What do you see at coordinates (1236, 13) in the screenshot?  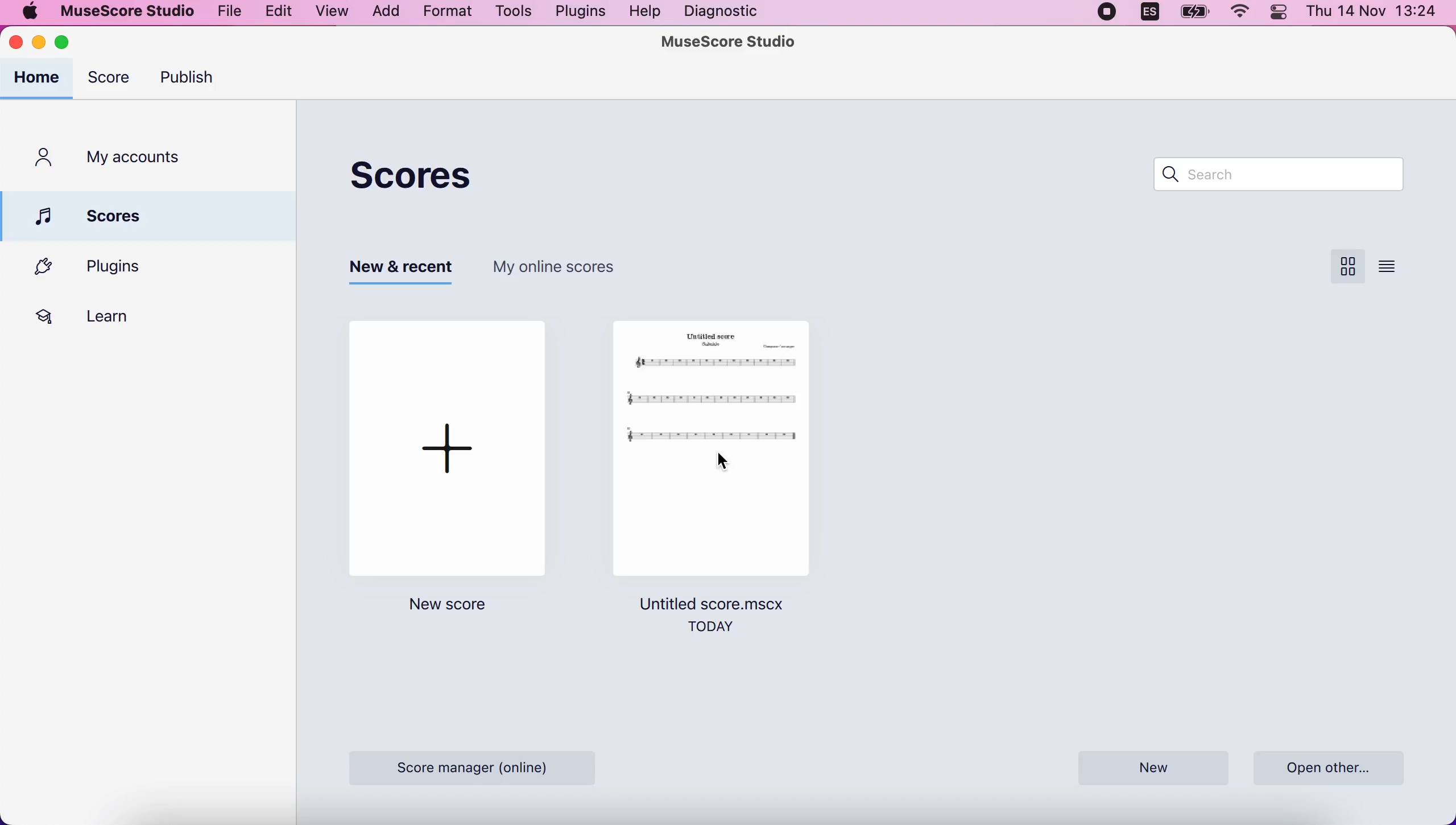 I see `wifi` at bounding box center [1236, 13].